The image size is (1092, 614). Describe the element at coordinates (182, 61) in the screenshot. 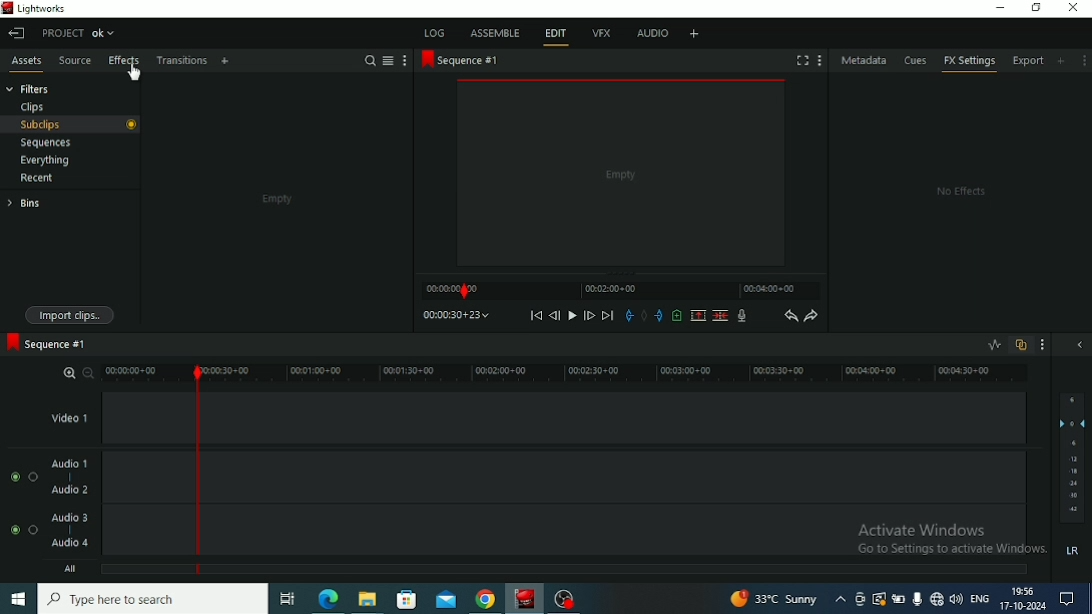

I see `Transitions` at that location.